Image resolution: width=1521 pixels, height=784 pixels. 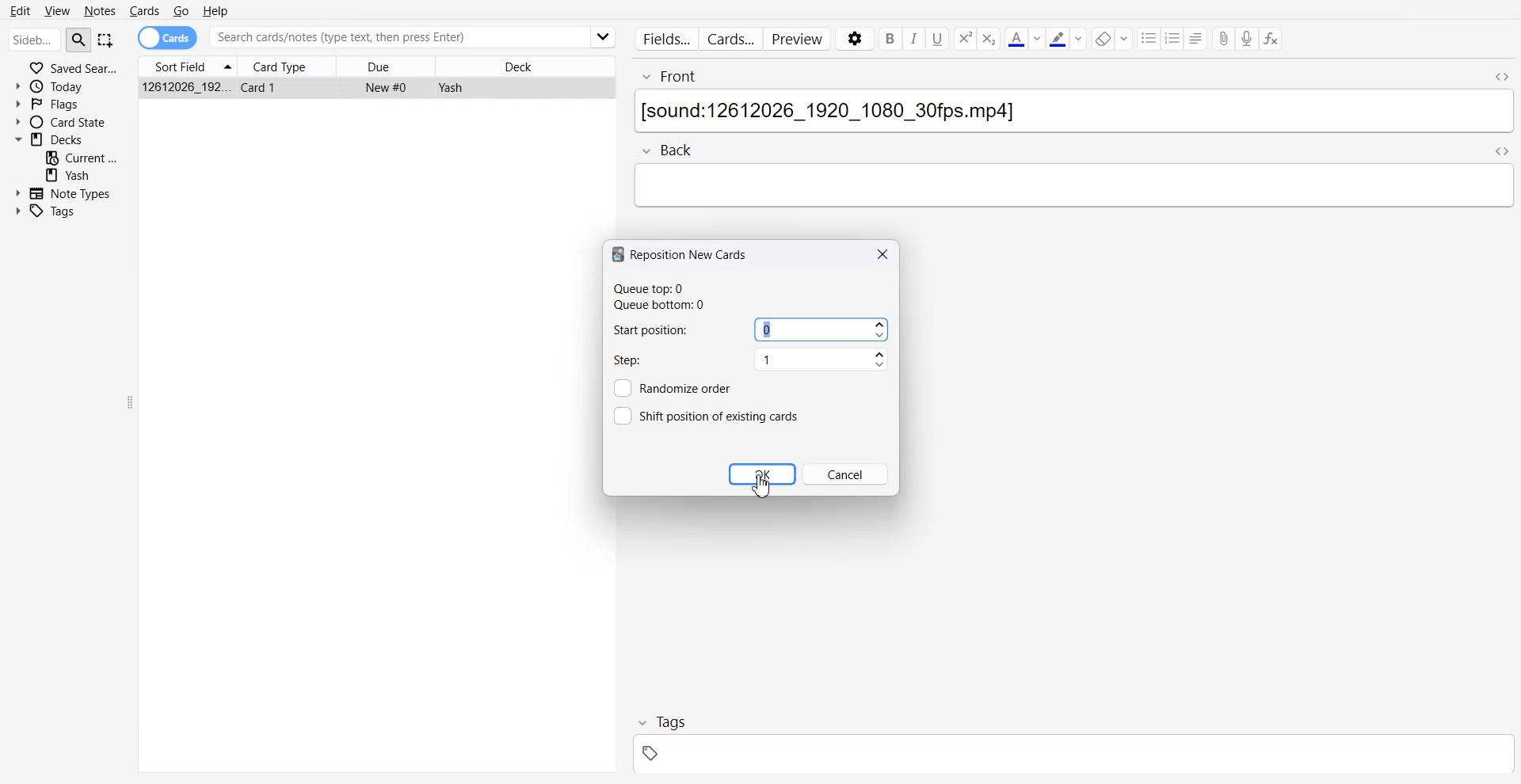 What do you see at coordinates (1067, 38) in the screenshot?
I see `Highlight text color` at bounding box center [1067, 38].